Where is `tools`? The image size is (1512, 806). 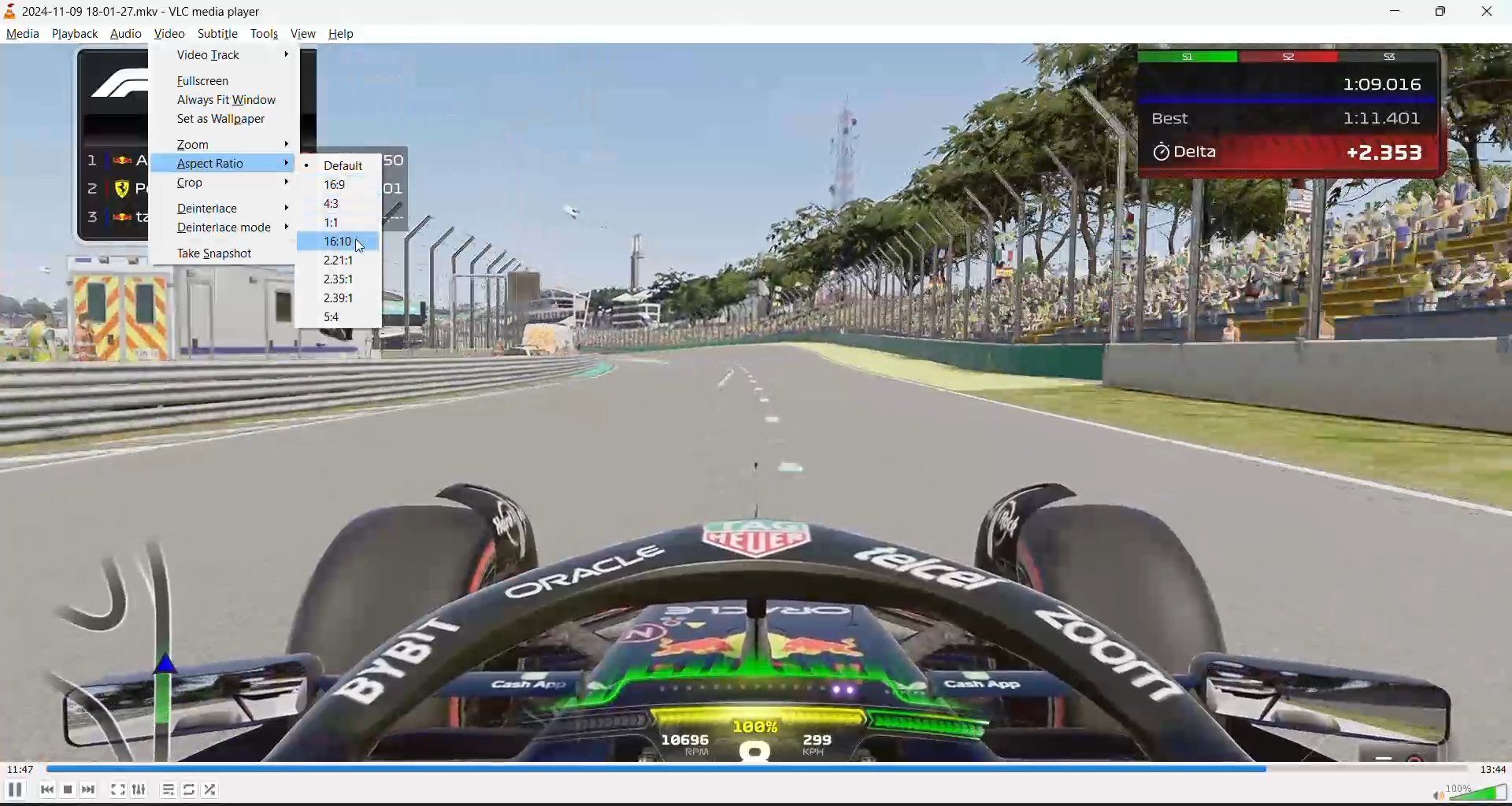
tools is located at coordinates (265, 31).